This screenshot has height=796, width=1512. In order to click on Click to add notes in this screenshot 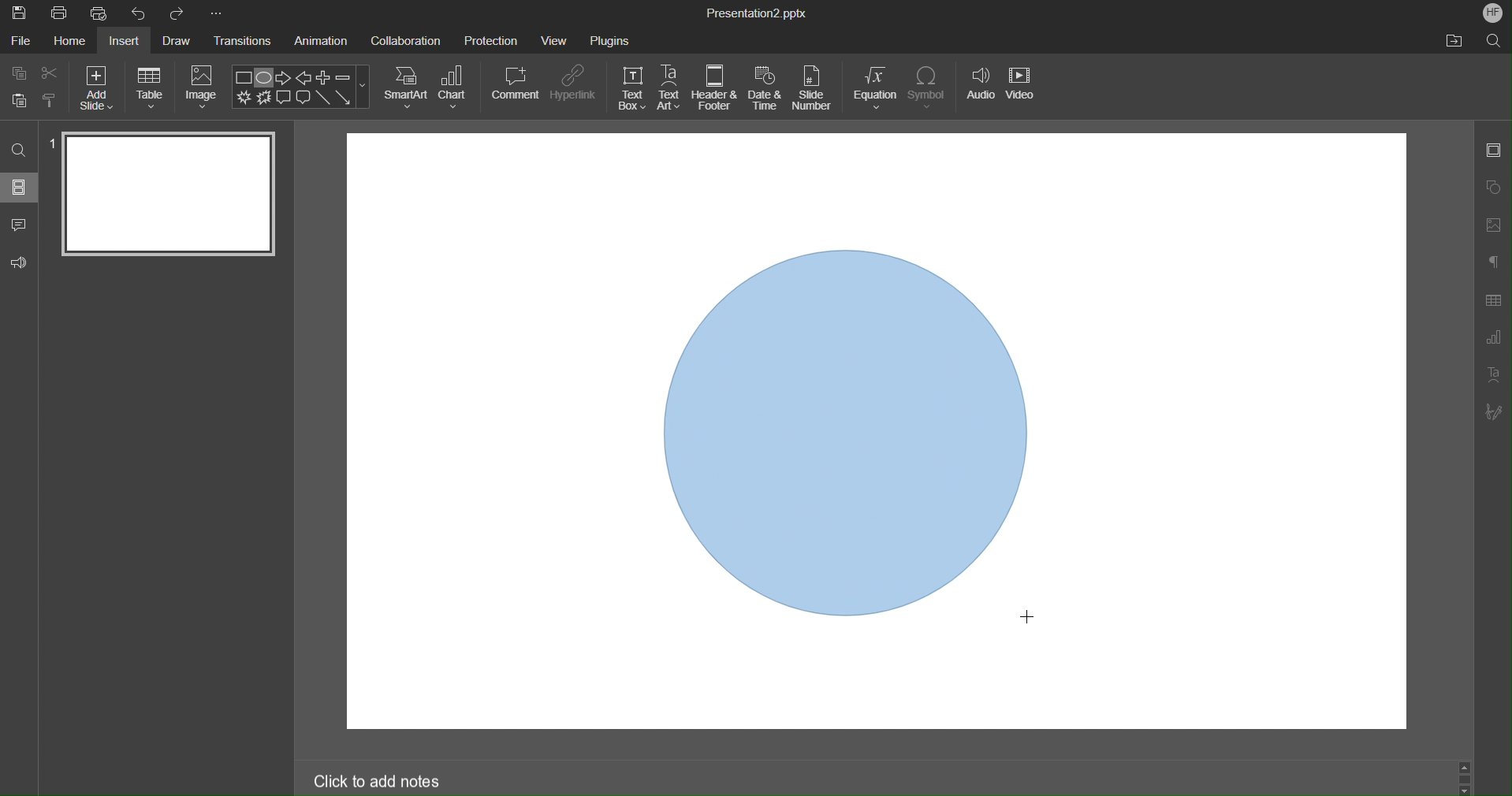, I will do `click(377, 783)`.